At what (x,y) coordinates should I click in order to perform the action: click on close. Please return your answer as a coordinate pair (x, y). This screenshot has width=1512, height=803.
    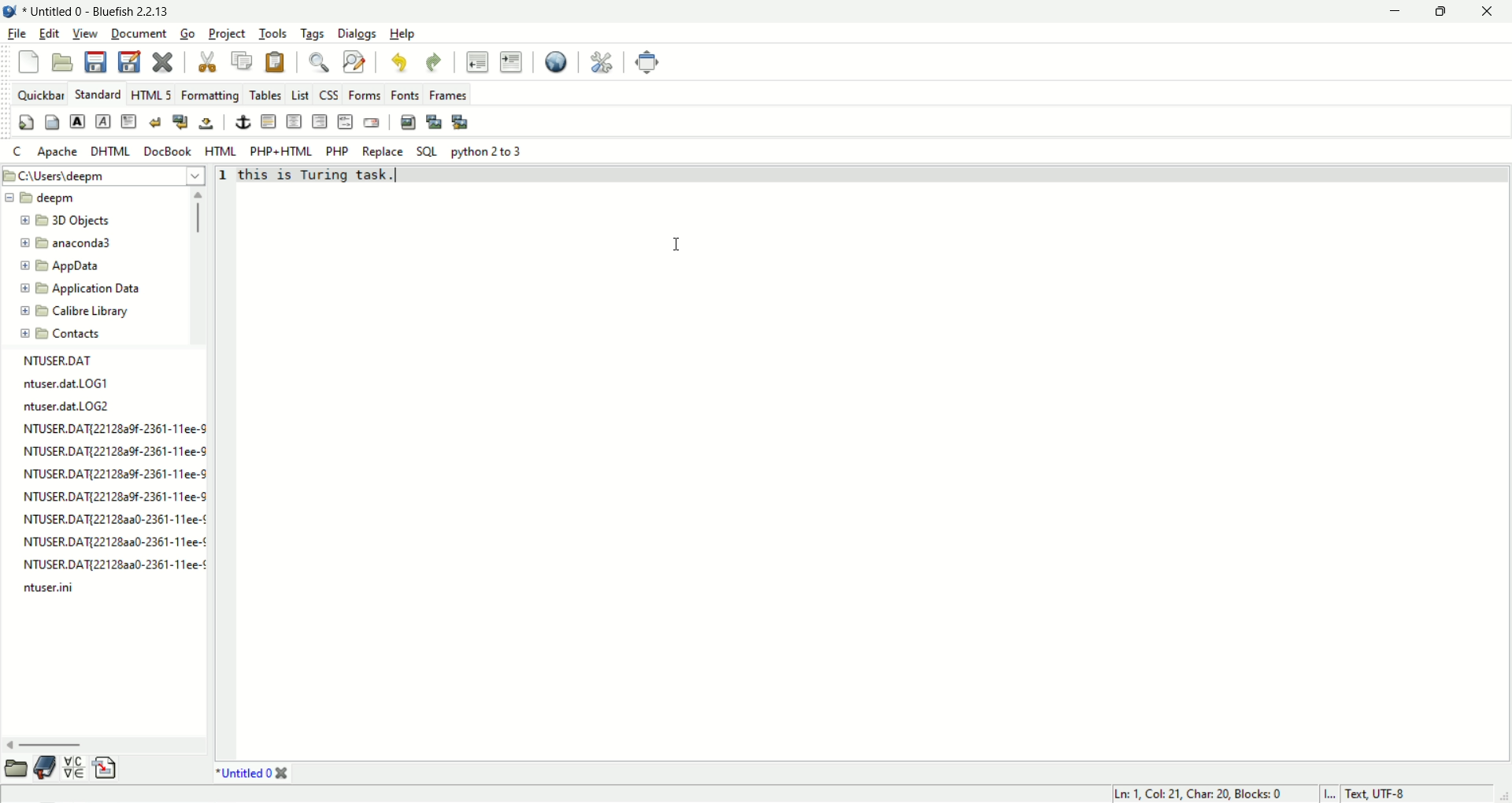
    Looking at the image, I should click on (165, 64).